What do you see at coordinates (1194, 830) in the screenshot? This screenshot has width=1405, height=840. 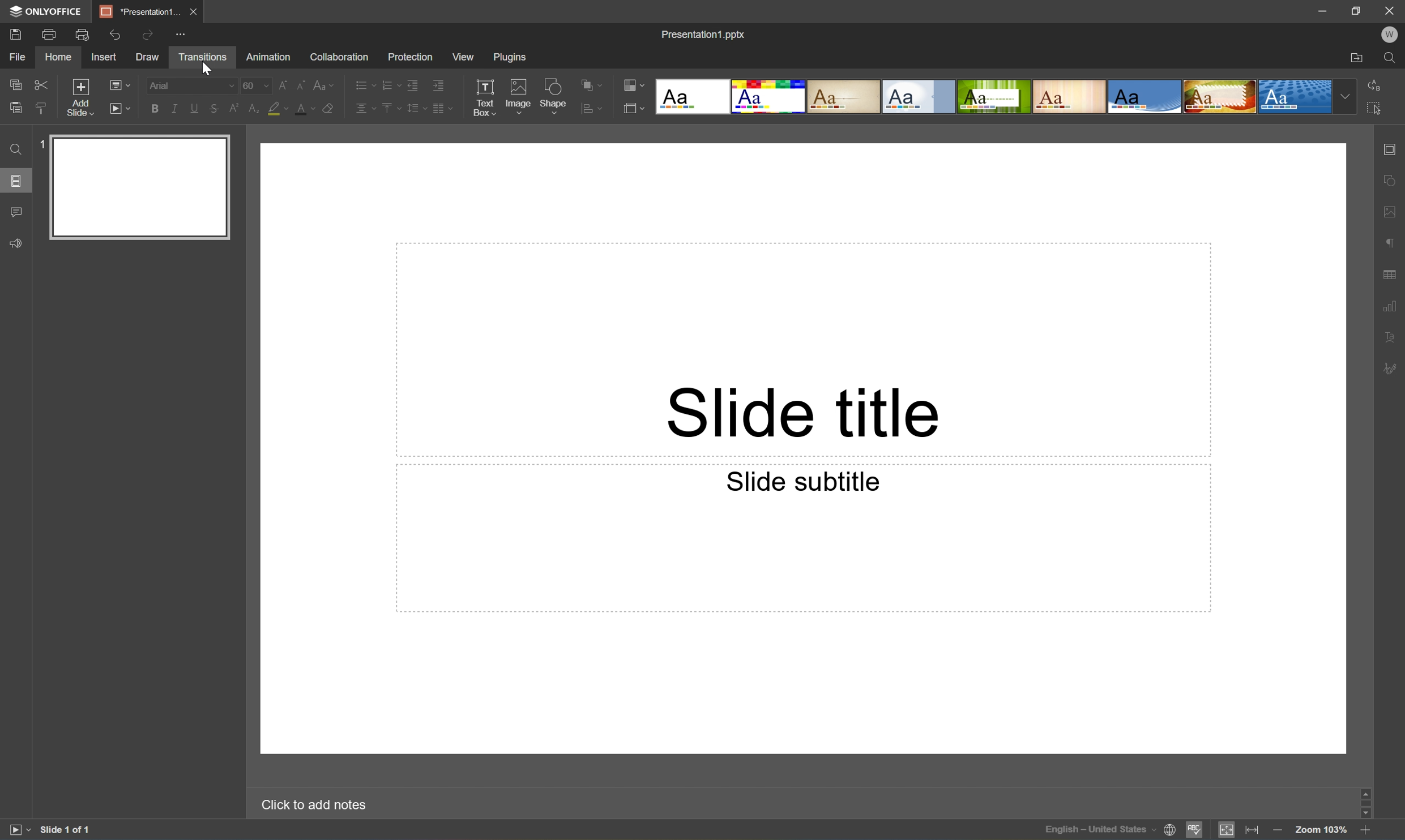 I see `Spell checking` at bounding box center [1194, 830].